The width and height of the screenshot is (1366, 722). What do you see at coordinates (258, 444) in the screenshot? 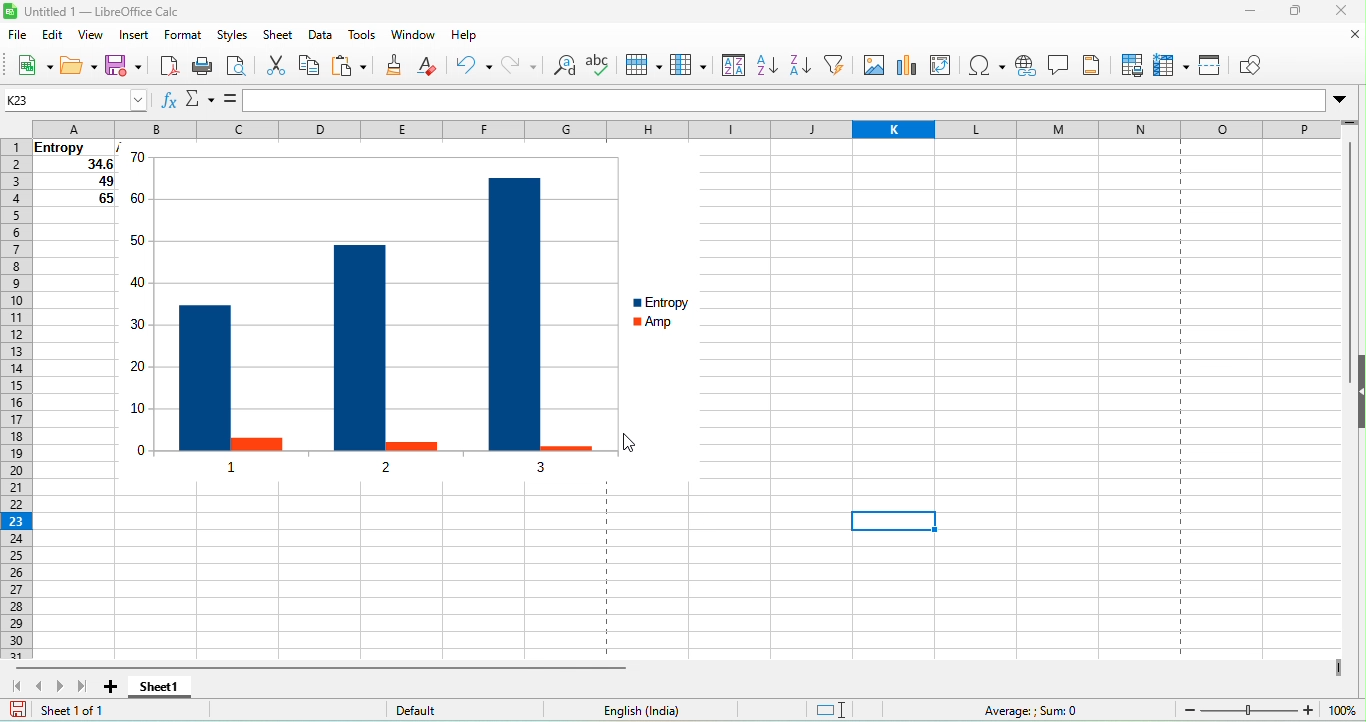
I see `amp1` at bounding box center [258, 444].